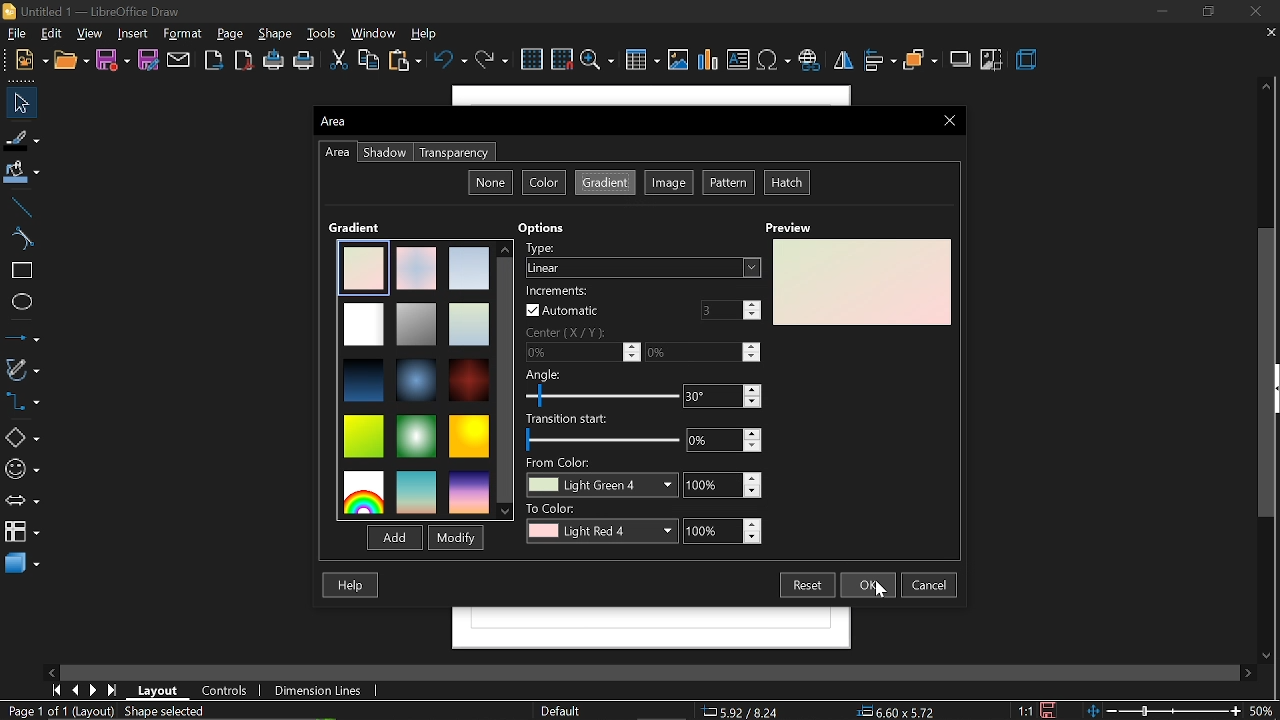 The height and width of the screenshot is (720, 1280). Describe the element at coordinates (273, 61) in the screenshot. I see `print directly` at that location.